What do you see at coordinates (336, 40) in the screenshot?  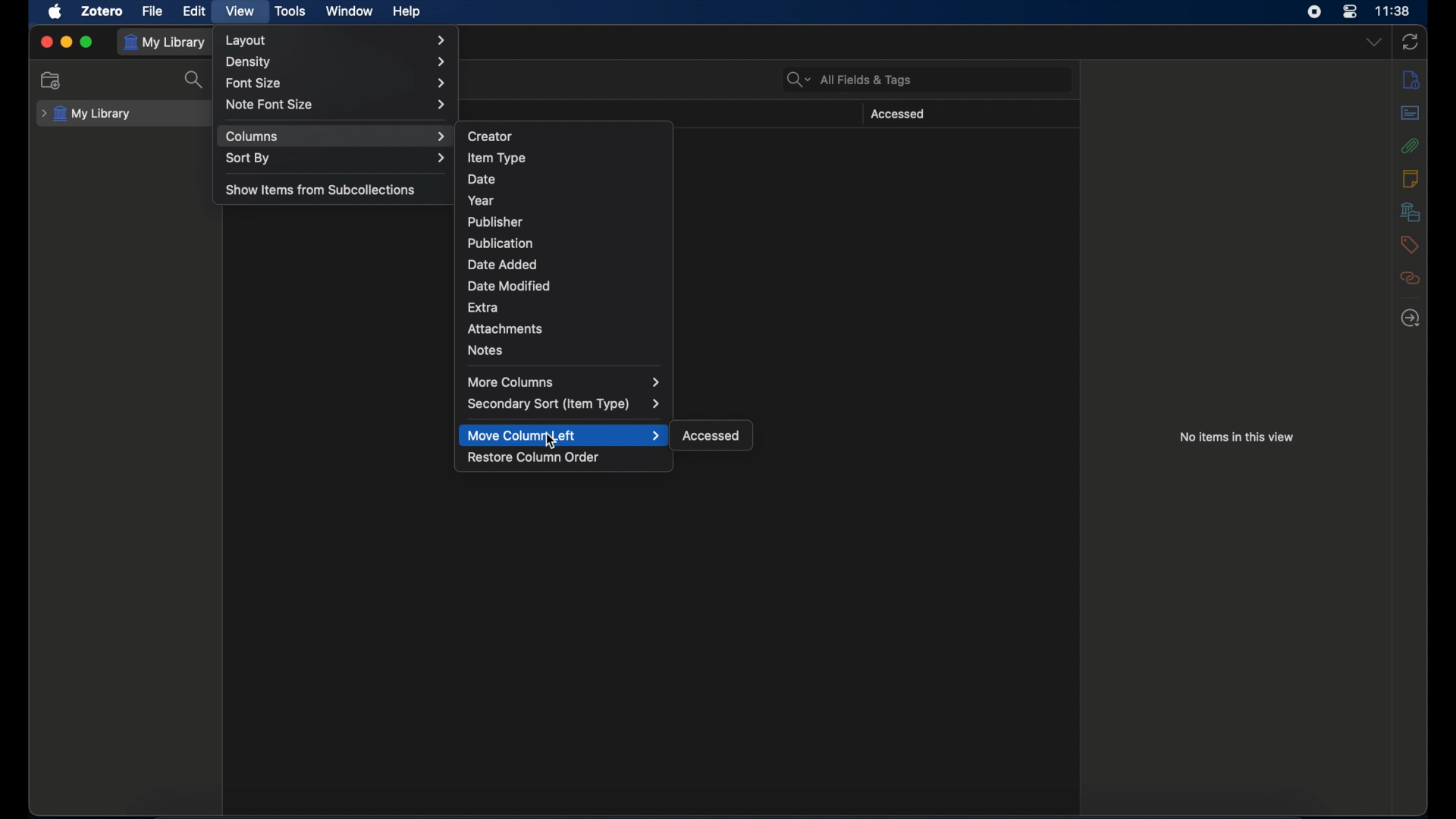 I see `layout` at bounding box center [336, 40].